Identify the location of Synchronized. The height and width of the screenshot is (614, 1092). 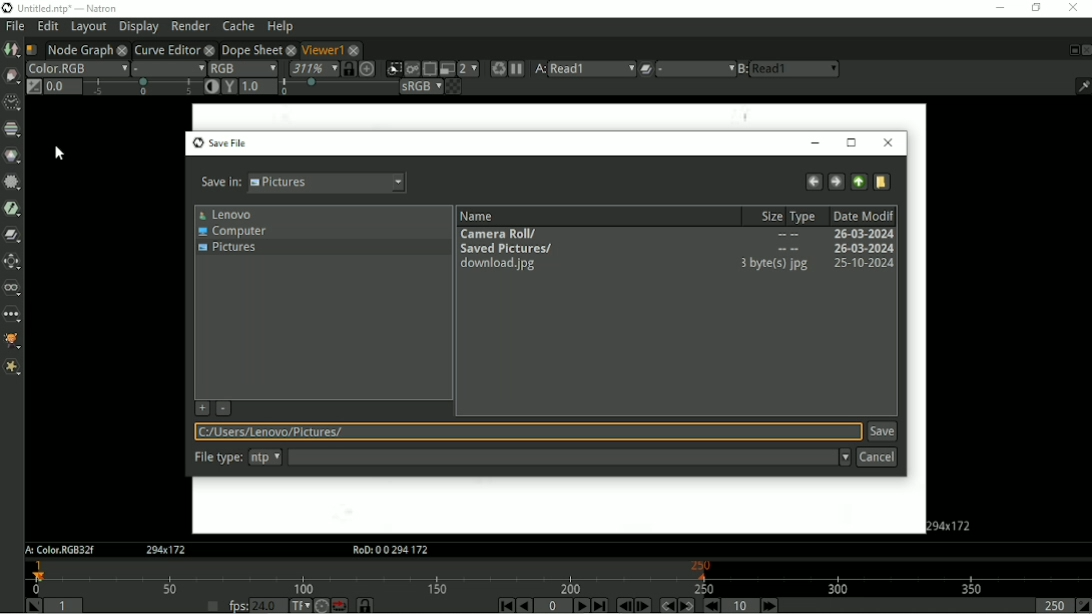
(347, 70).